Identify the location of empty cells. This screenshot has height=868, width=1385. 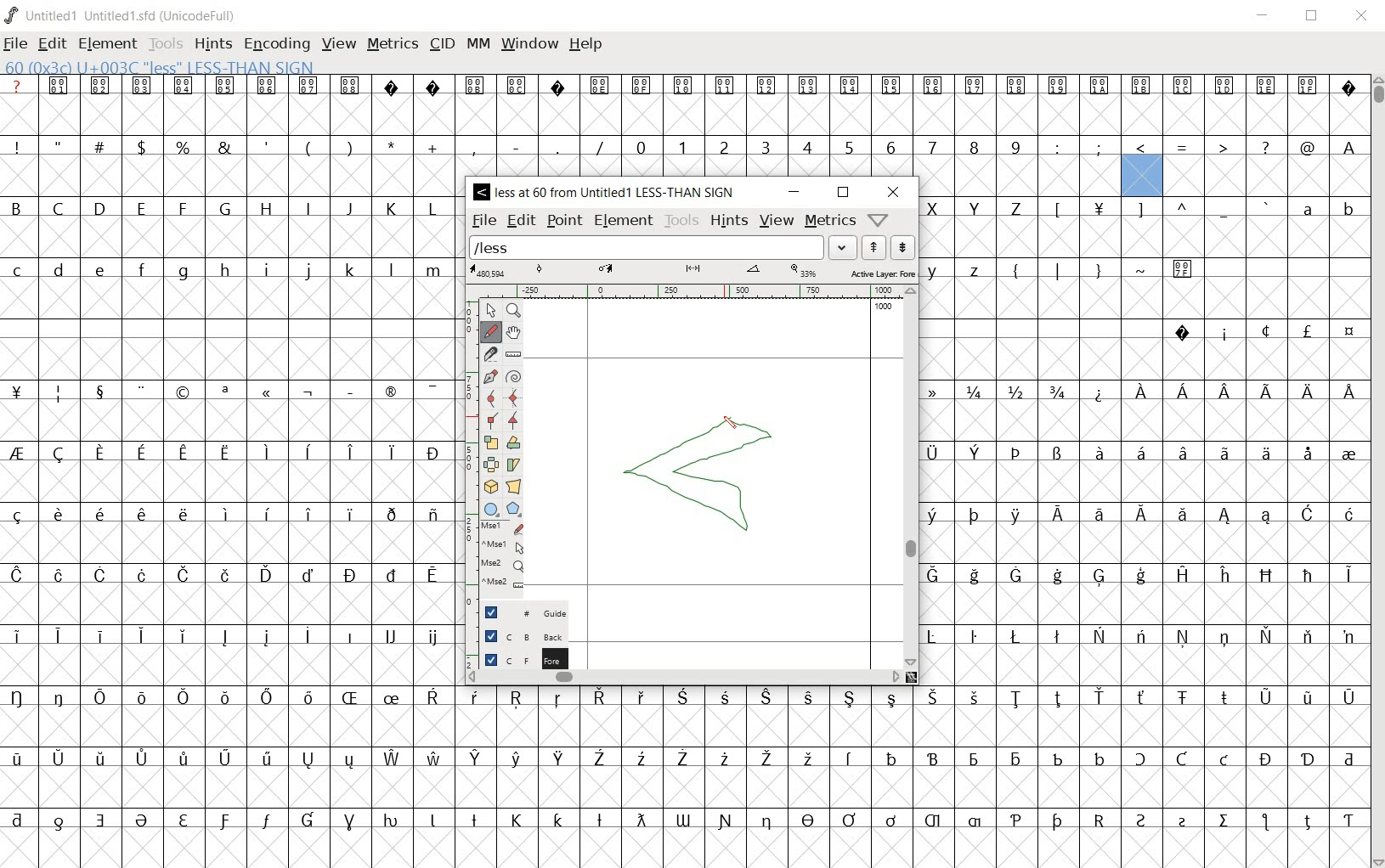
(224, 543).